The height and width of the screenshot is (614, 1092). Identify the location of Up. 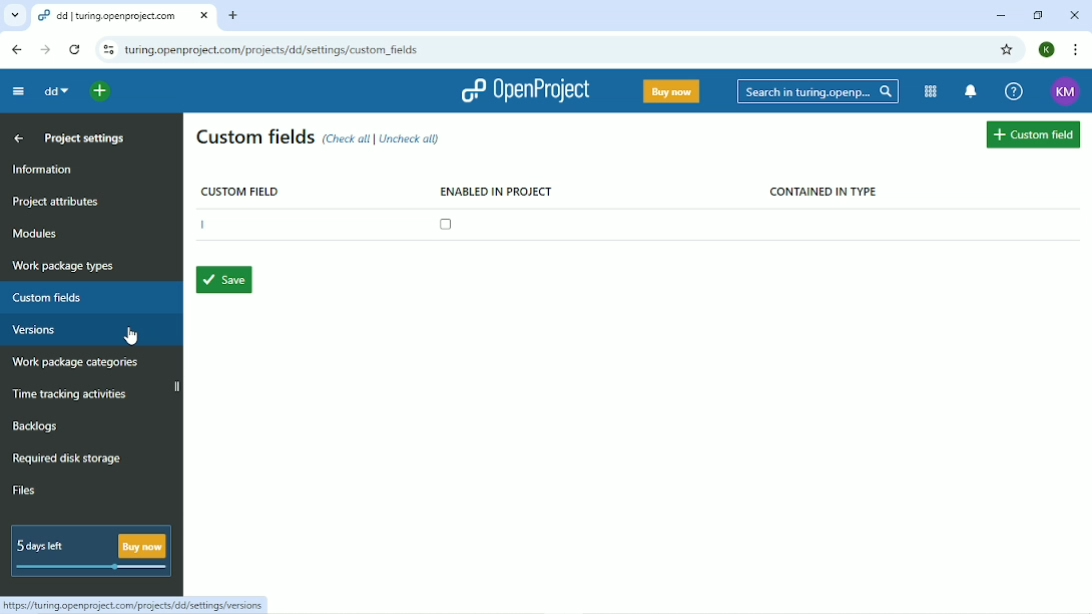
(20, 139).